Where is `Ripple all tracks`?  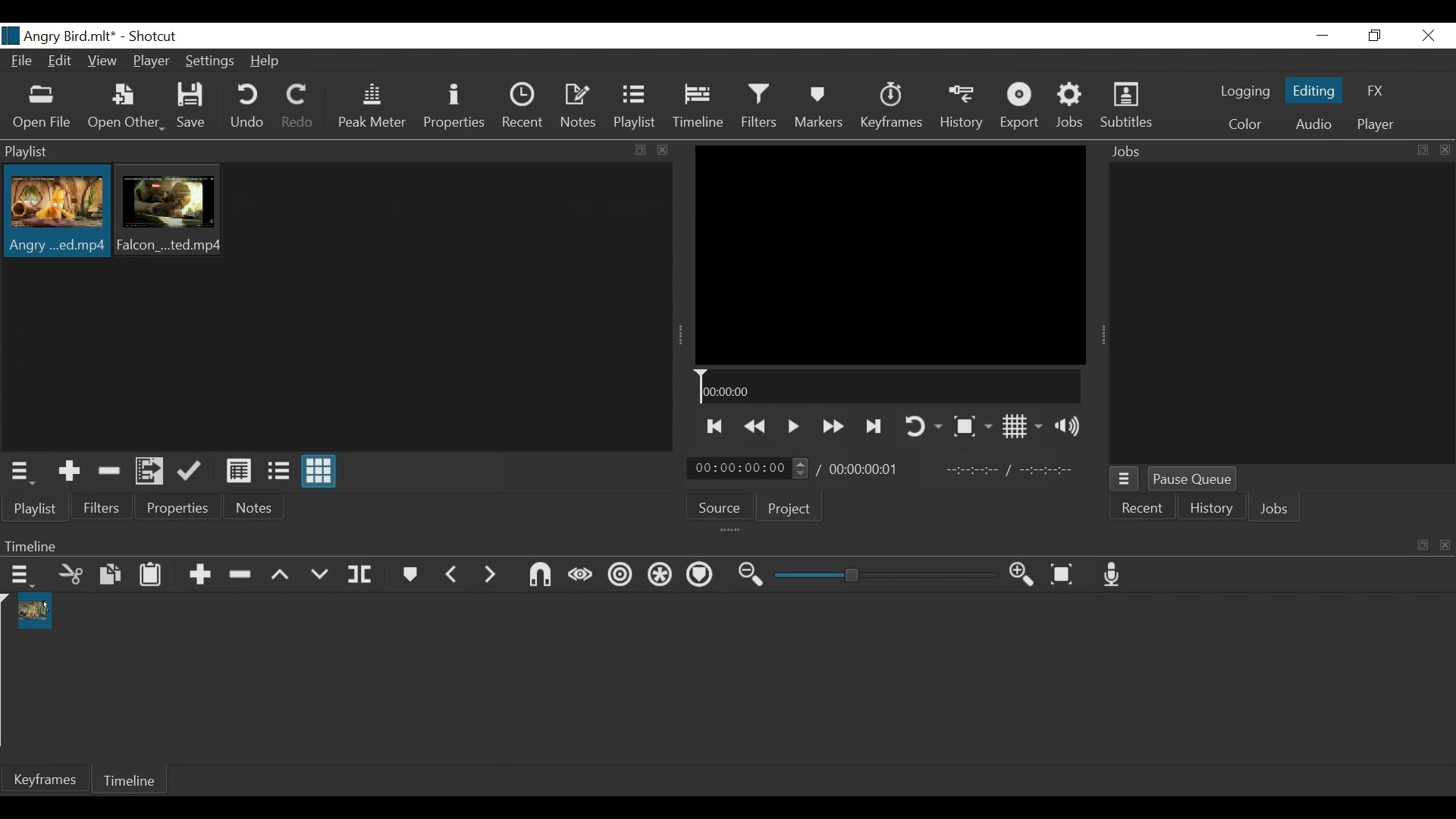 Ripple all tracks is located at coordinates (661, 577).